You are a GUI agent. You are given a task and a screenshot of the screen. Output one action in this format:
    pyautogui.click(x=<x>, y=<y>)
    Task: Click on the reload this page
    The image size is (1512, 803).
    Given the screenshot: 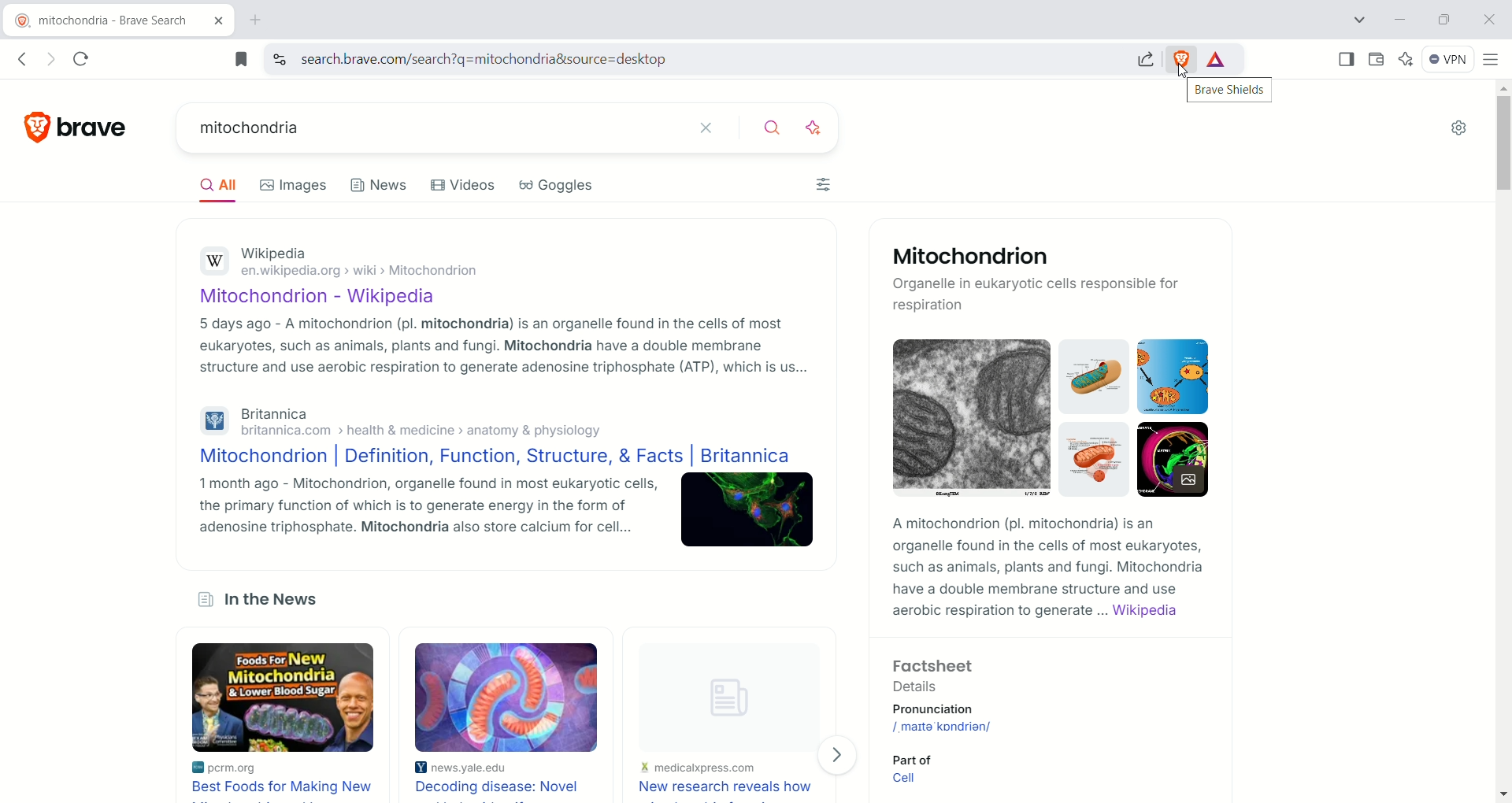 What is the action you would take?
    pyautogui.click(x=83, y=58)
    